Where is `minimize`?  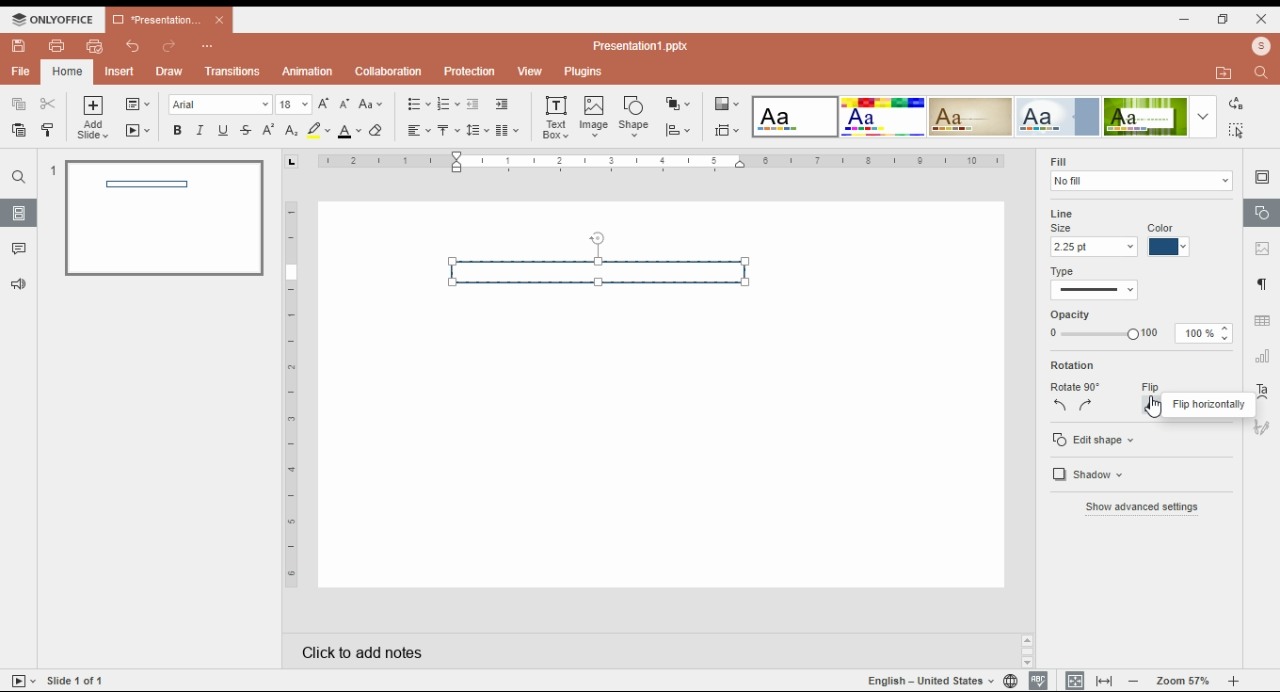 minimize is located at coordinates (1188, 20).